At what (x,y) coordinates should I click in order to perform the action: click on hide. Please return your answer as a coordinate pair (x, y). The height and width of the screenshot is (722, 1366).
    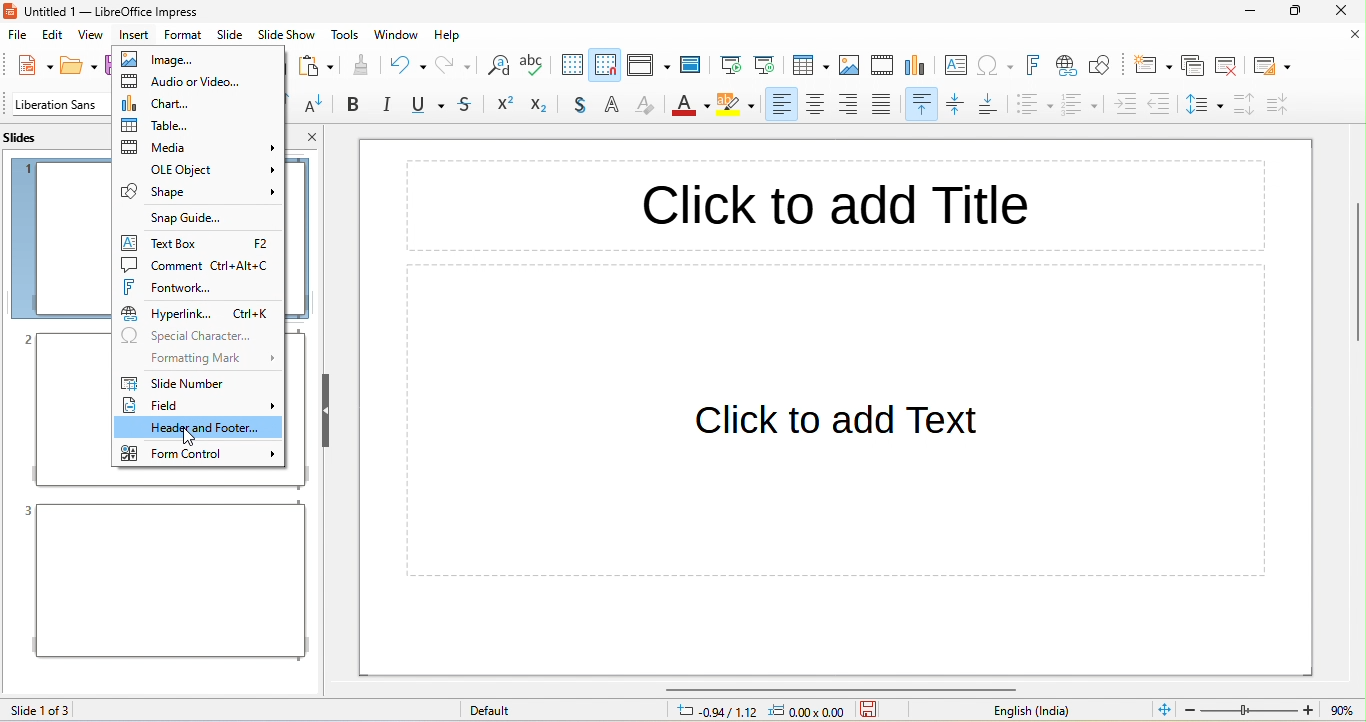
    Looking at the image, I should click on (324, 410).